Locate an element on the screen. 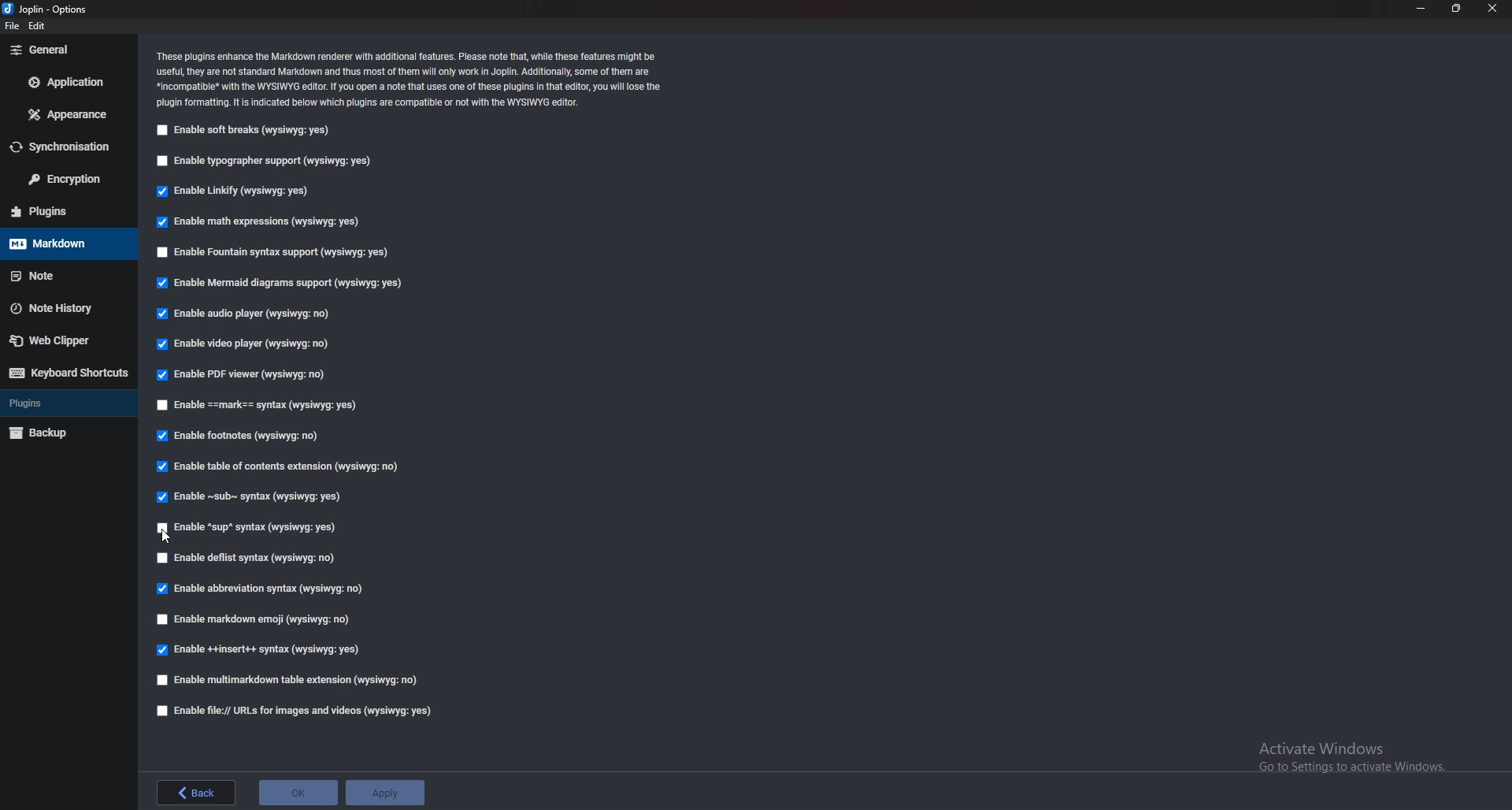 This screenshot has height=810, width=1512. Enable linkify is located at coordinates (239, 191).